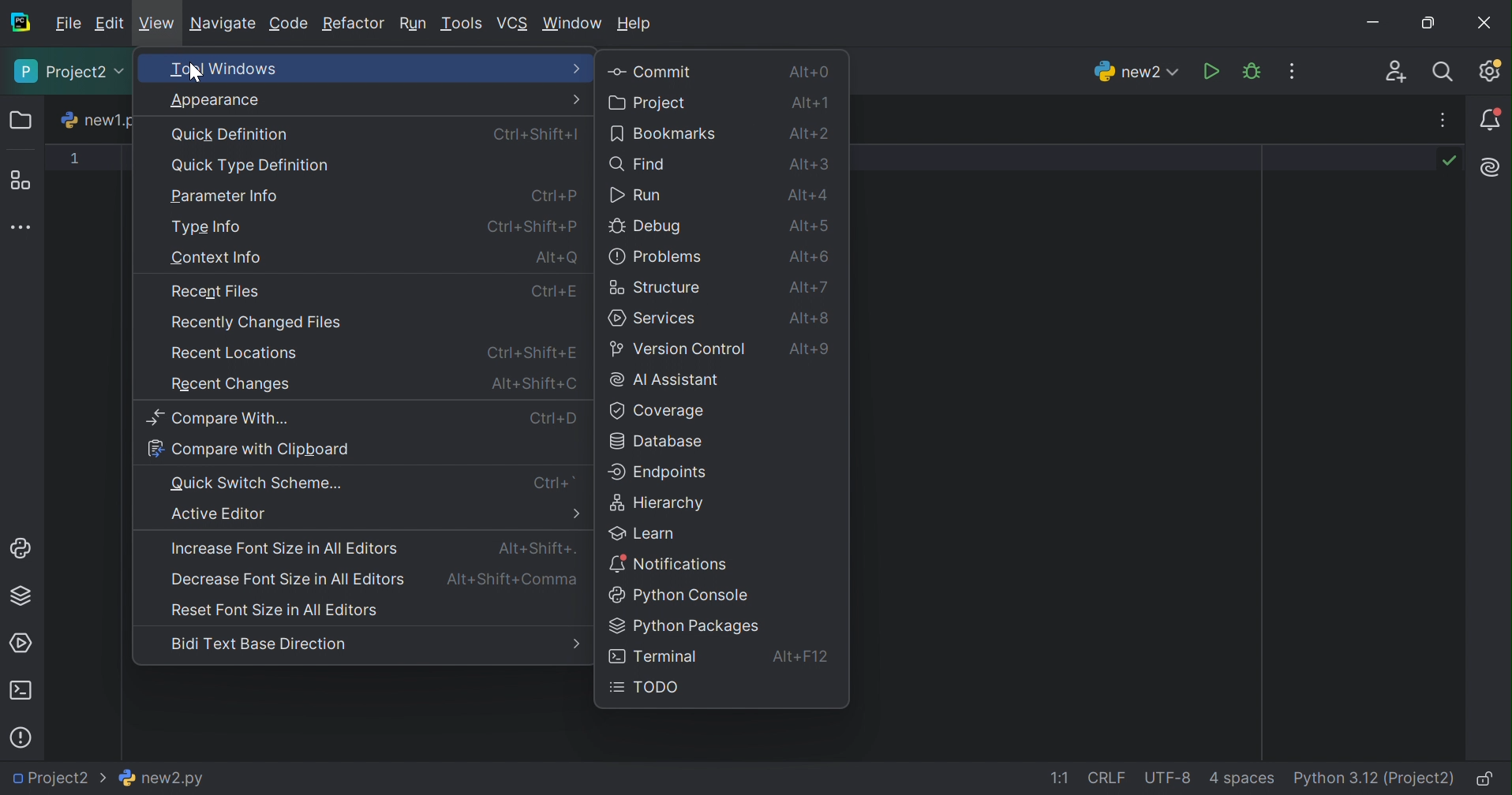 The width and height of the screenshot is (1512, 795). What do you see at coordinates (1372, 778) in the screenshot?
I see `Python 3.12 (Project2)` at bounding box center [1372, 778].